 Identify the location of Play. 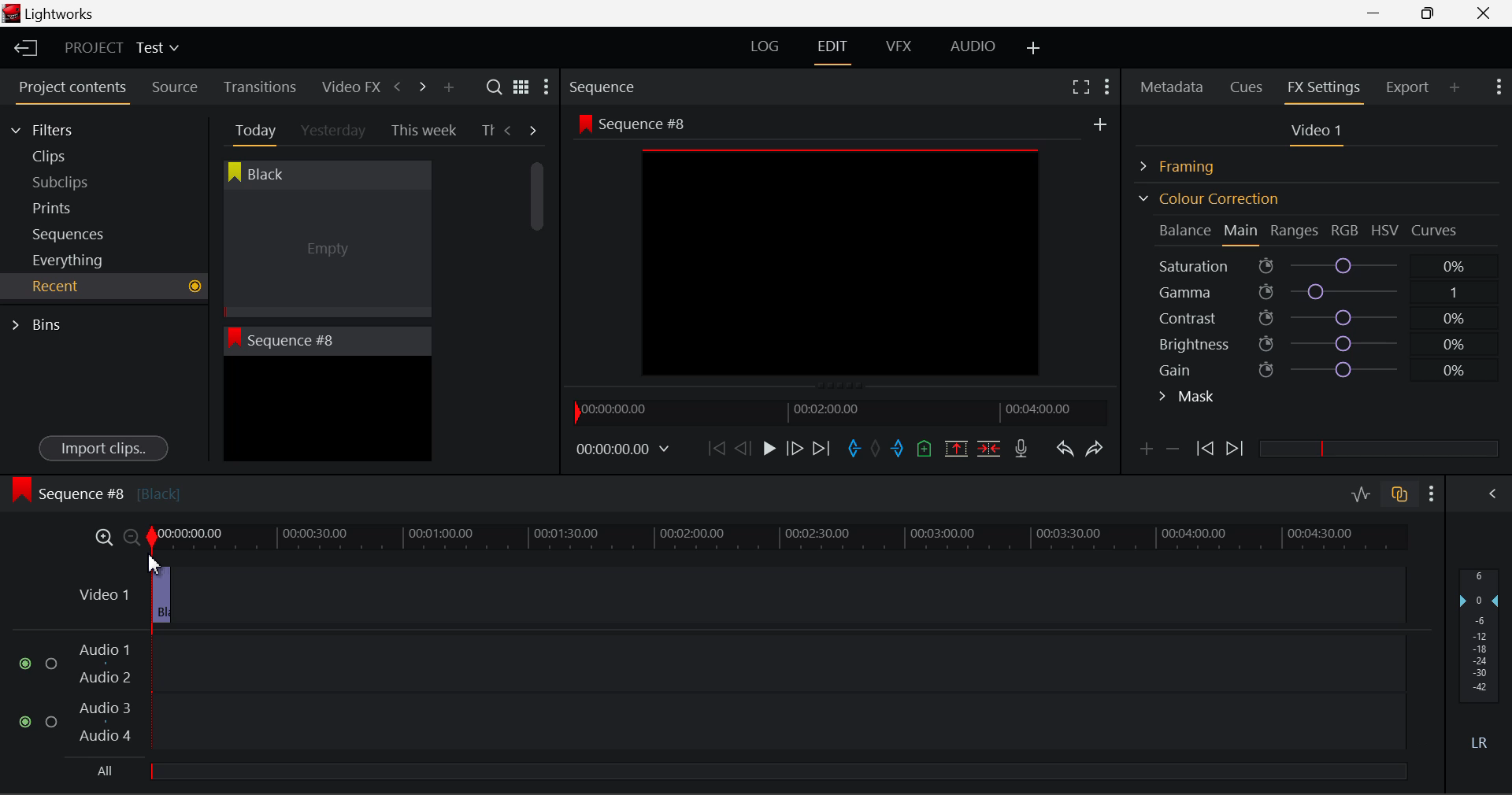
(767, 449).